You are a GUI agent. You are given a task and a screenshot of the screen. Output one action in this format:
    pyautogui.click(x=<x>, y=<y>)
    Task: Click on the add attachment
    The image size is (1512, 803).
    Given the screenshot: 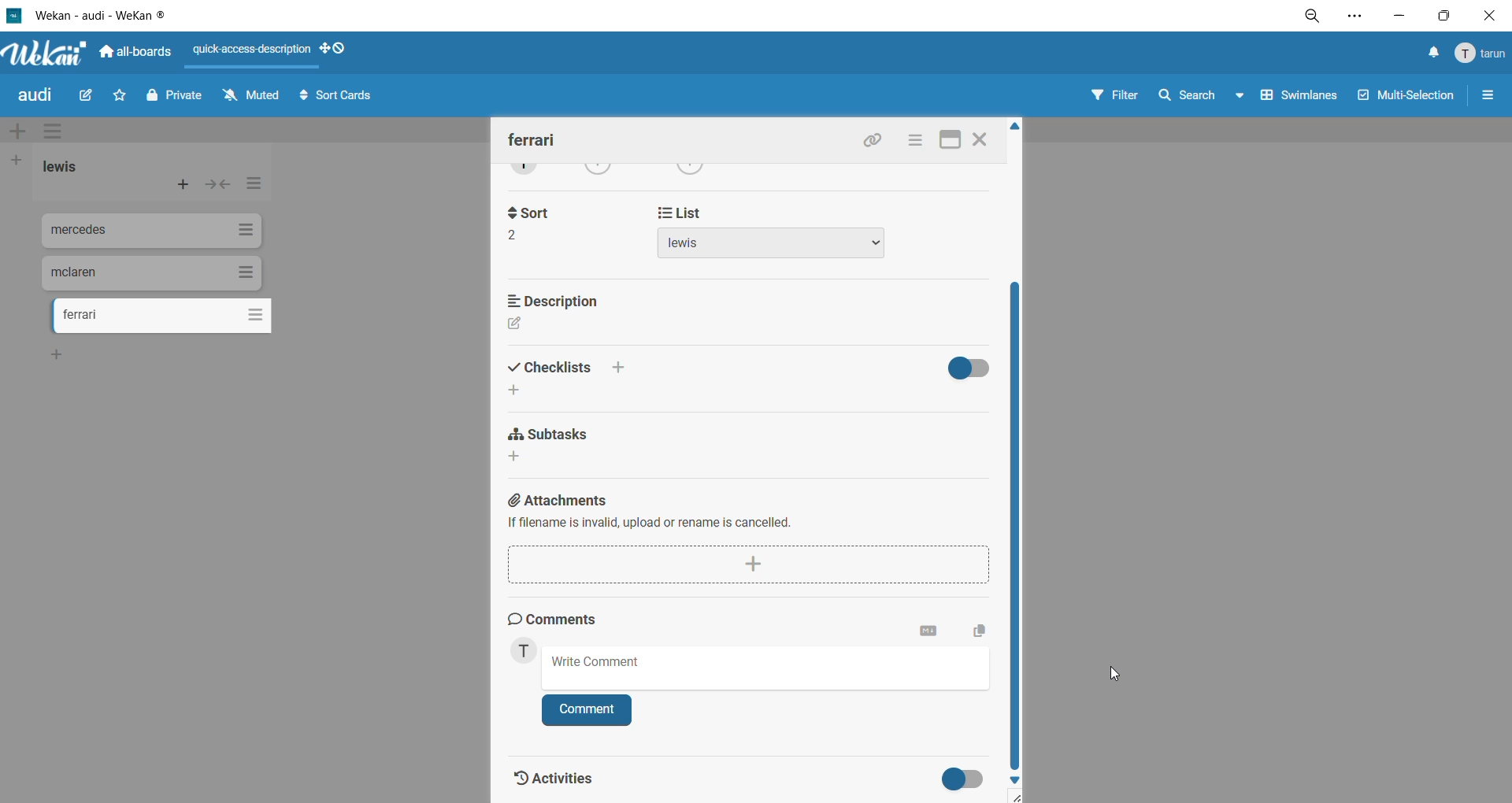 What is the action you would take?
    pyautogui.click(x=747, y=564)
    